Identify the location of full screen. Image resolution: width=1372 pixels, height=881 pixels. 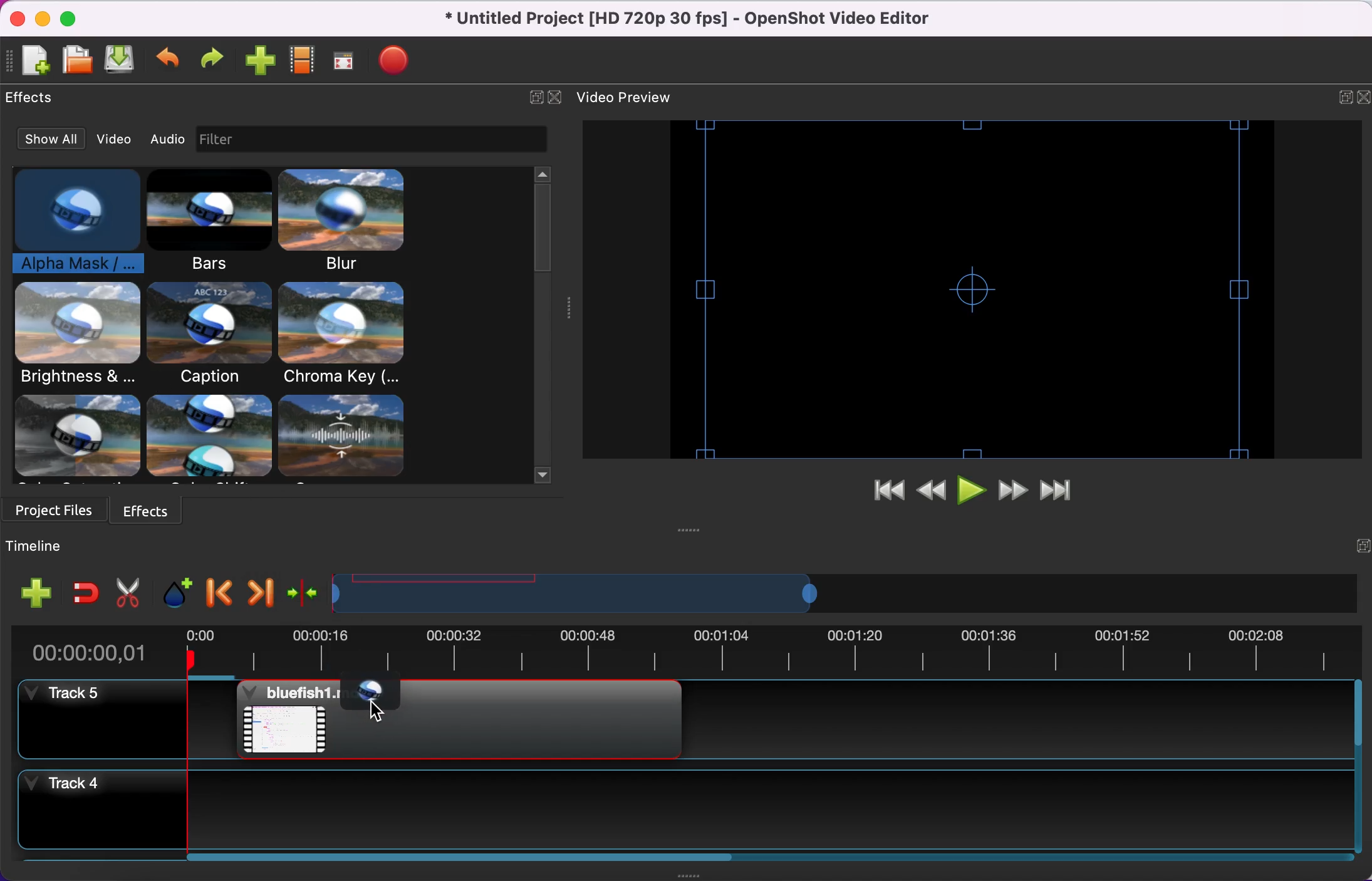
(345, 63).